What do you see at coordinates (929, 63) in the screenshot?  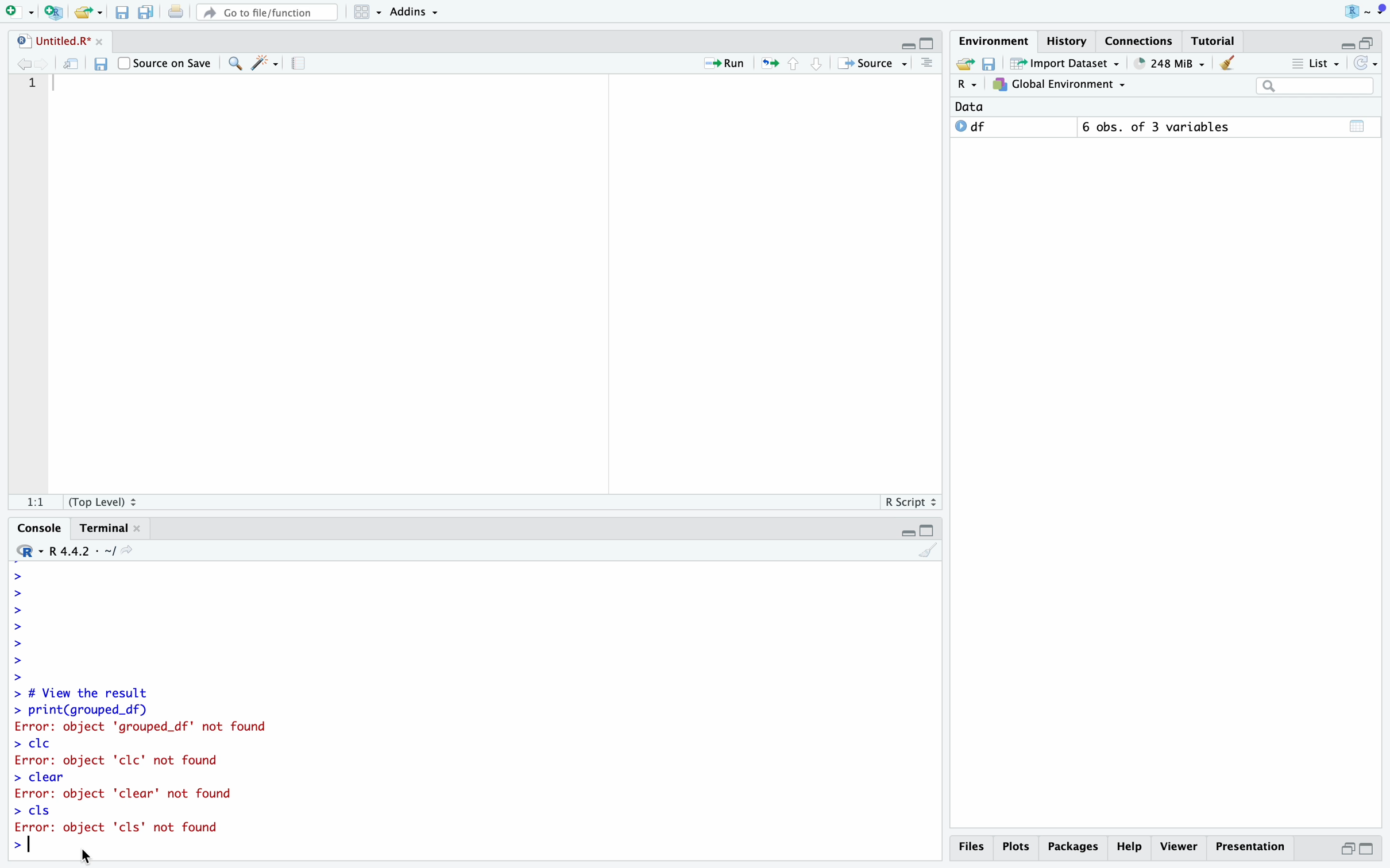 I see `Outlines` at bounding box center [929, 63].